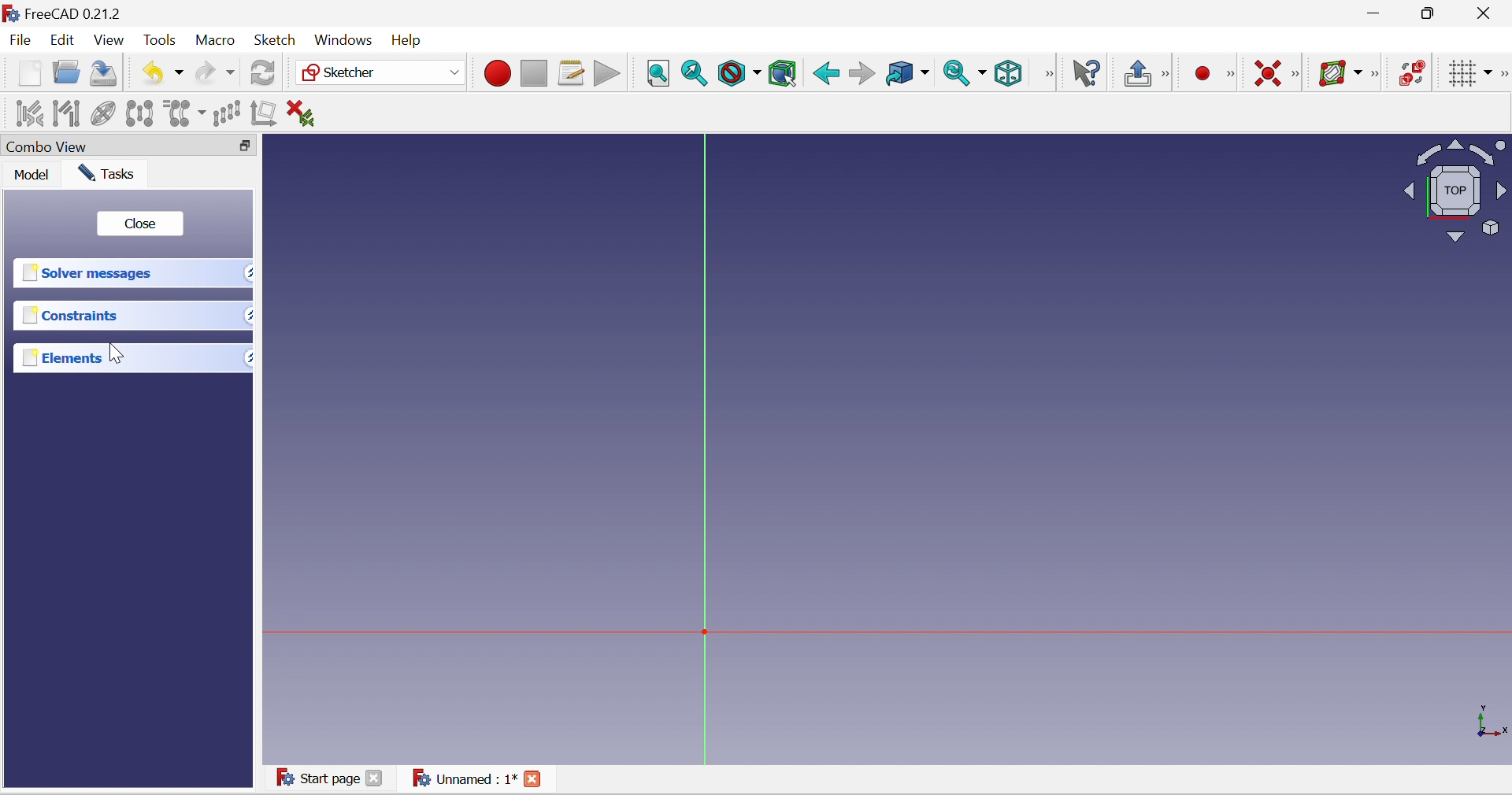 The width and height of the screenshot is (1512, 795). What do you see at coordinates (65, 40) in the screenshot?
I see `Edit` at bounding box center [65, 40].